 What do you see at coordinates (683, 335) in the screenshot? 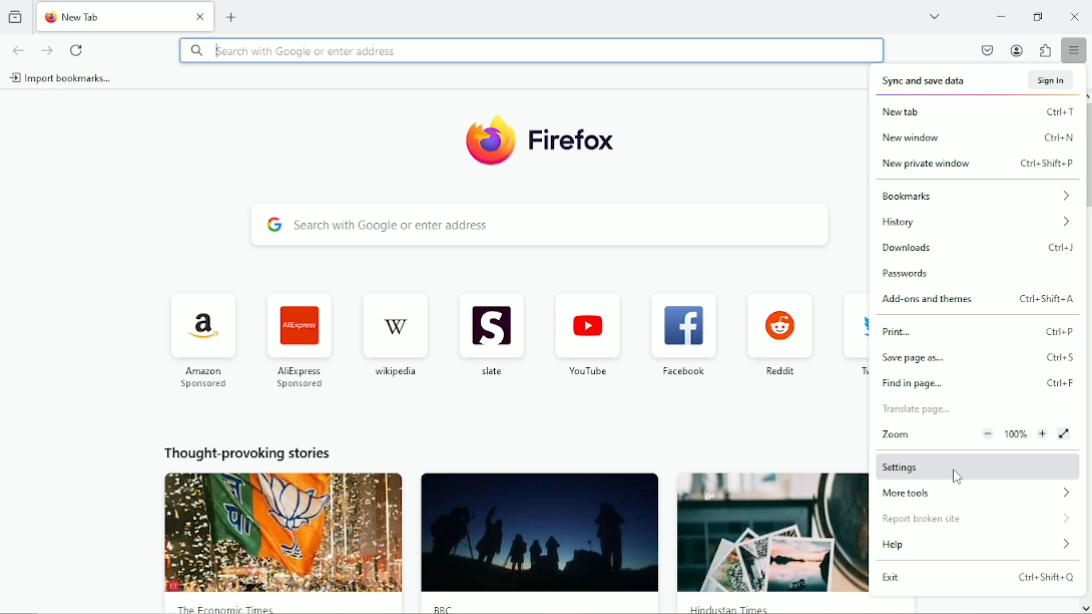
I see `Facebook` at bounding box center [683, 335].